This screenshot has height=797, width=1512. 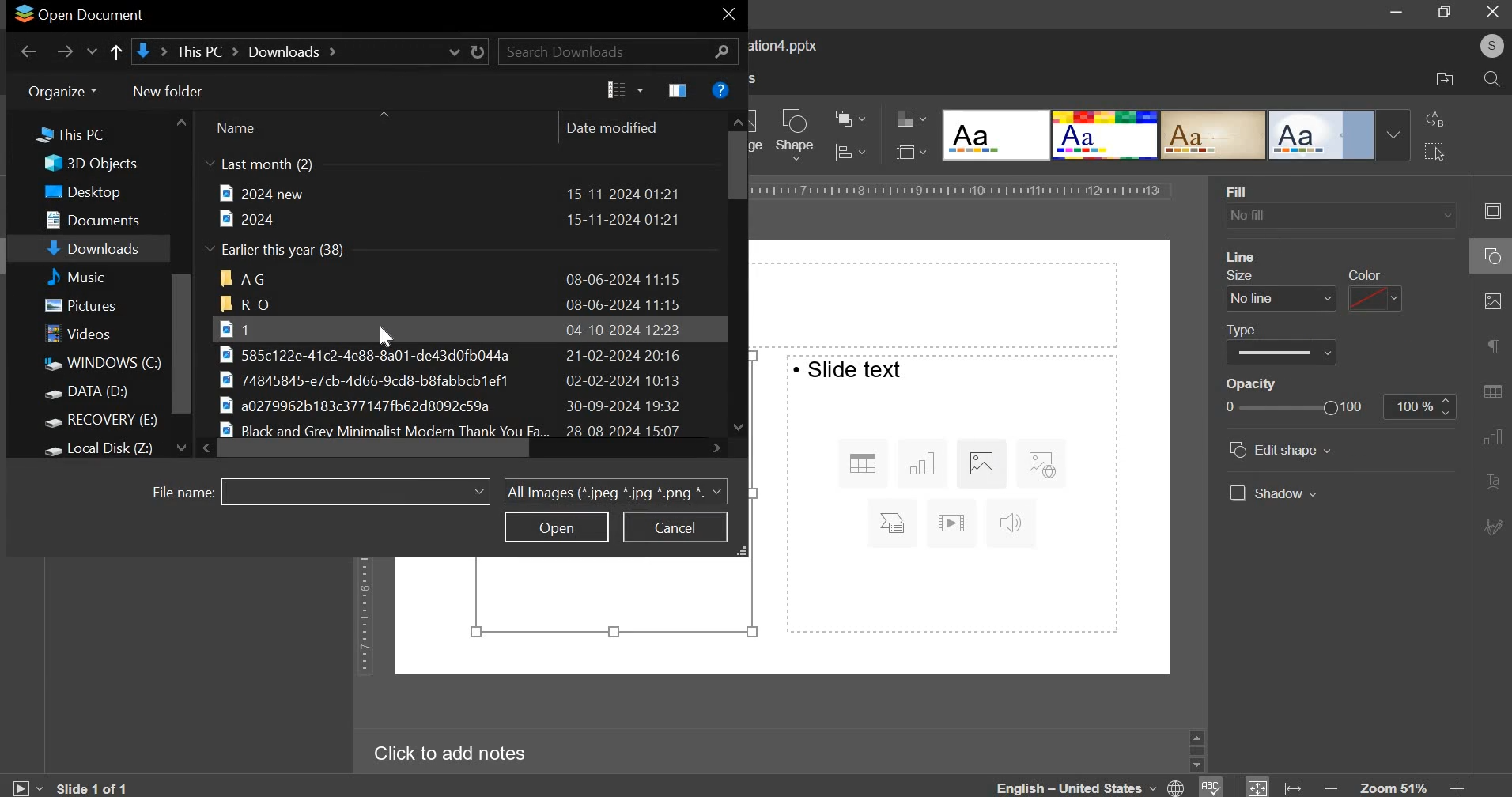 I want to click on New folder, so click(x=167, y=90).